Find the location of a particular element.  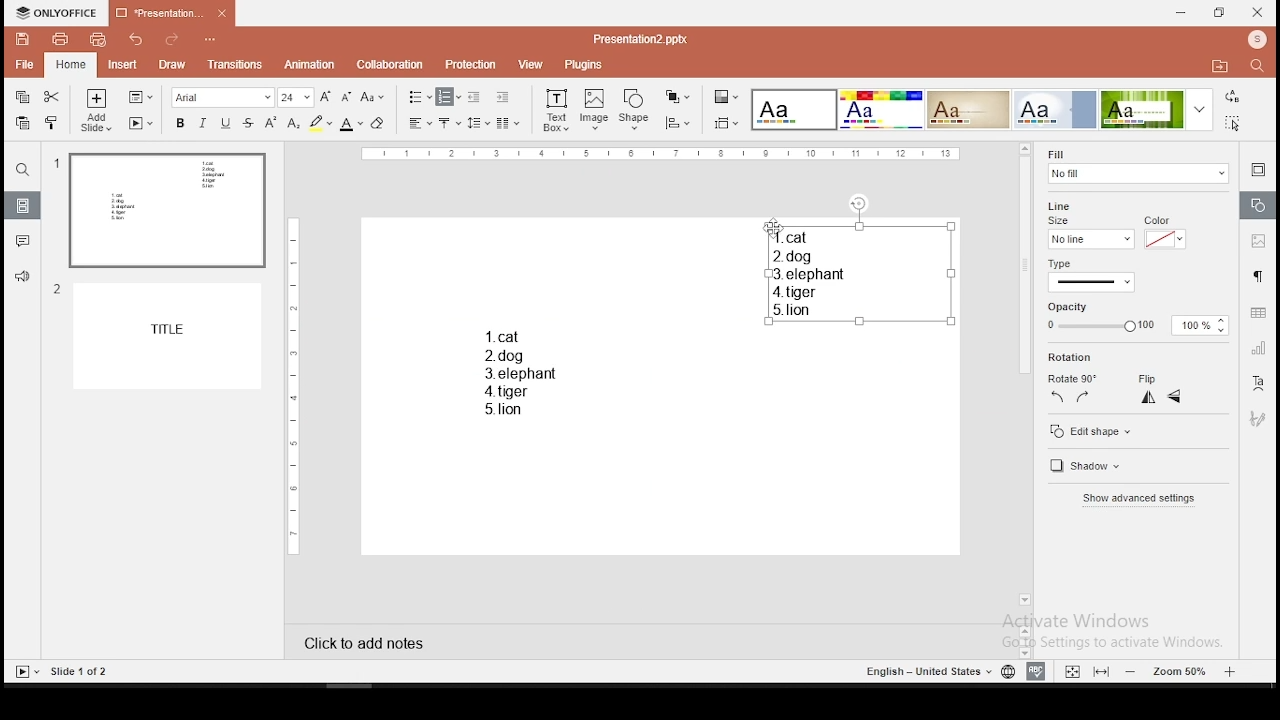

theme is located at coordinates (967, 110).